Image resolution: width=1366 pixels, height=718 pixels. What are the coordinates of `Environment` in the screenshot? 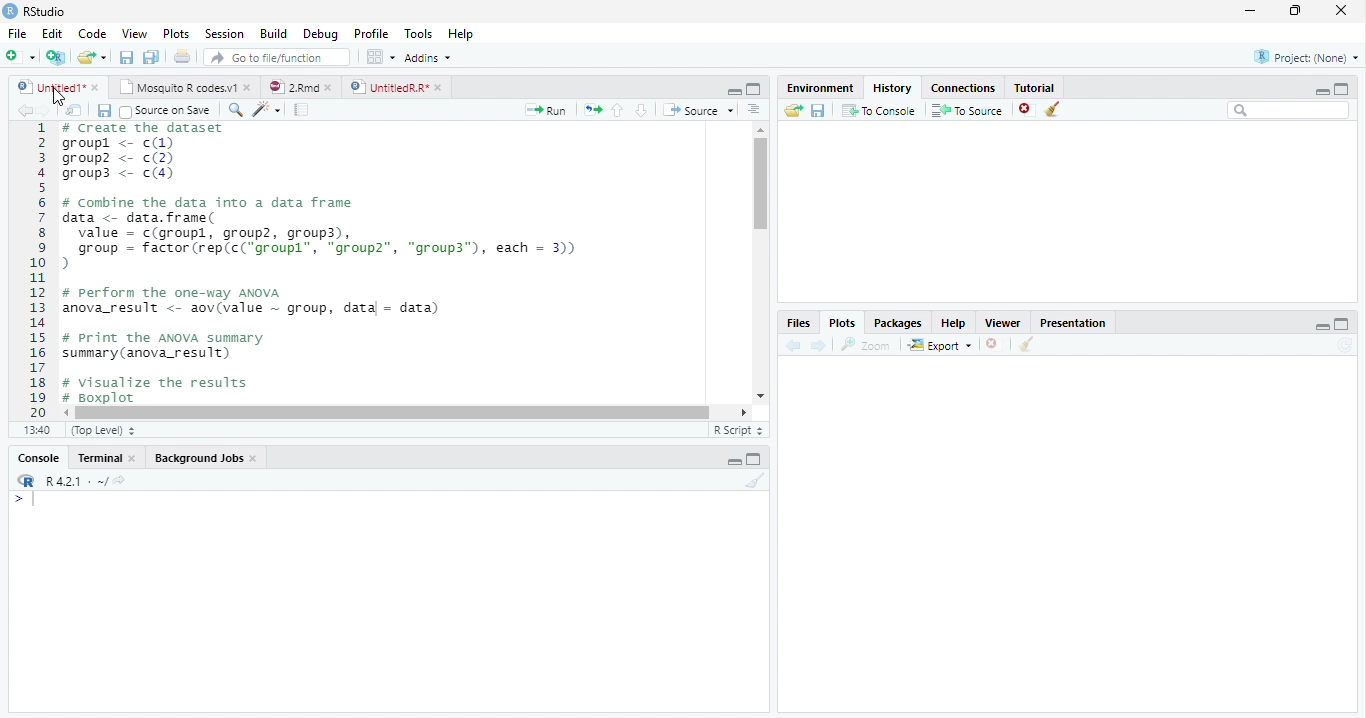 It's located at (820, 88).